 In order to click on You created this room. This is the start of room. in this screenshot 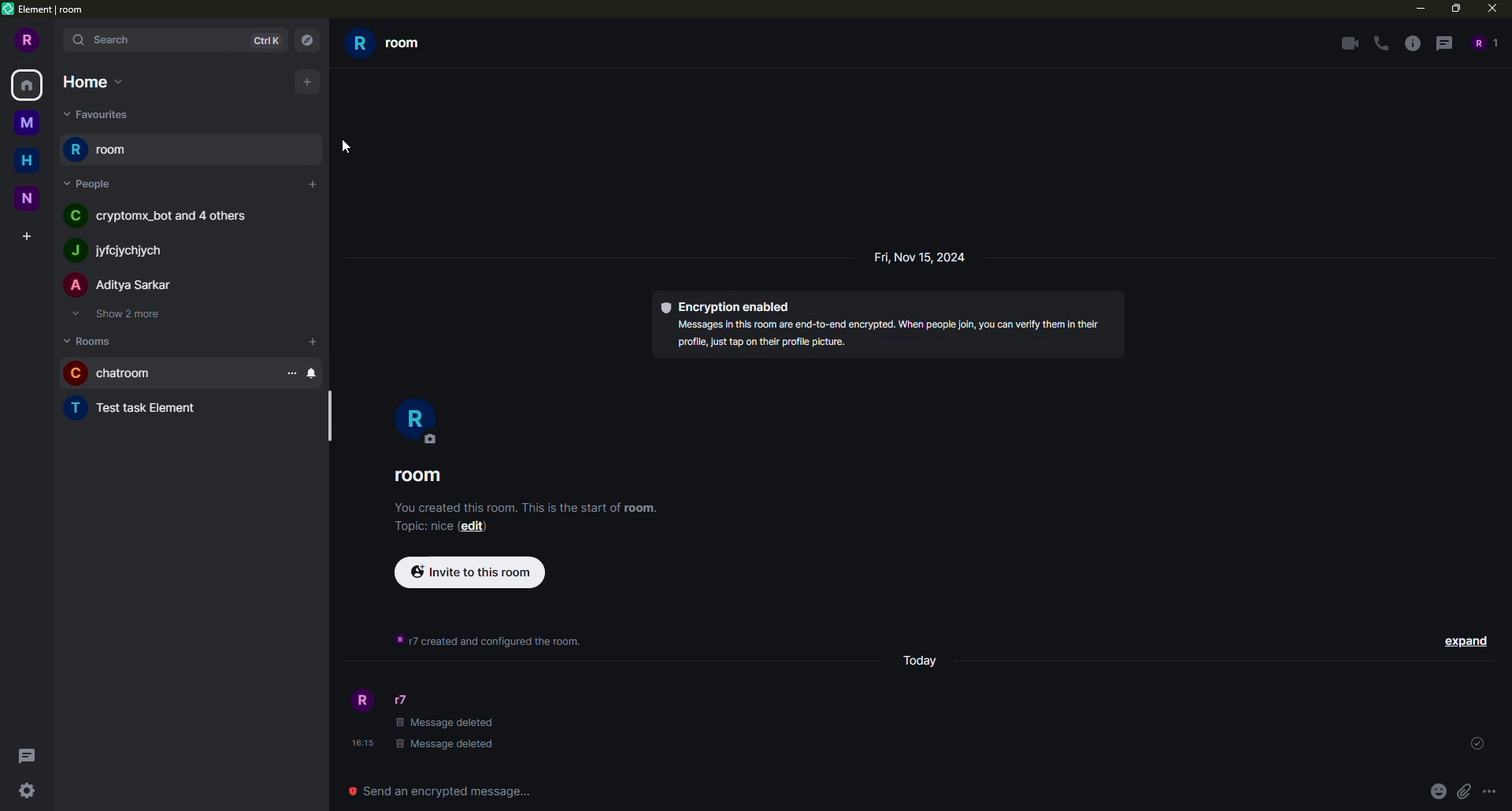, I will do `click(516, 509)`.